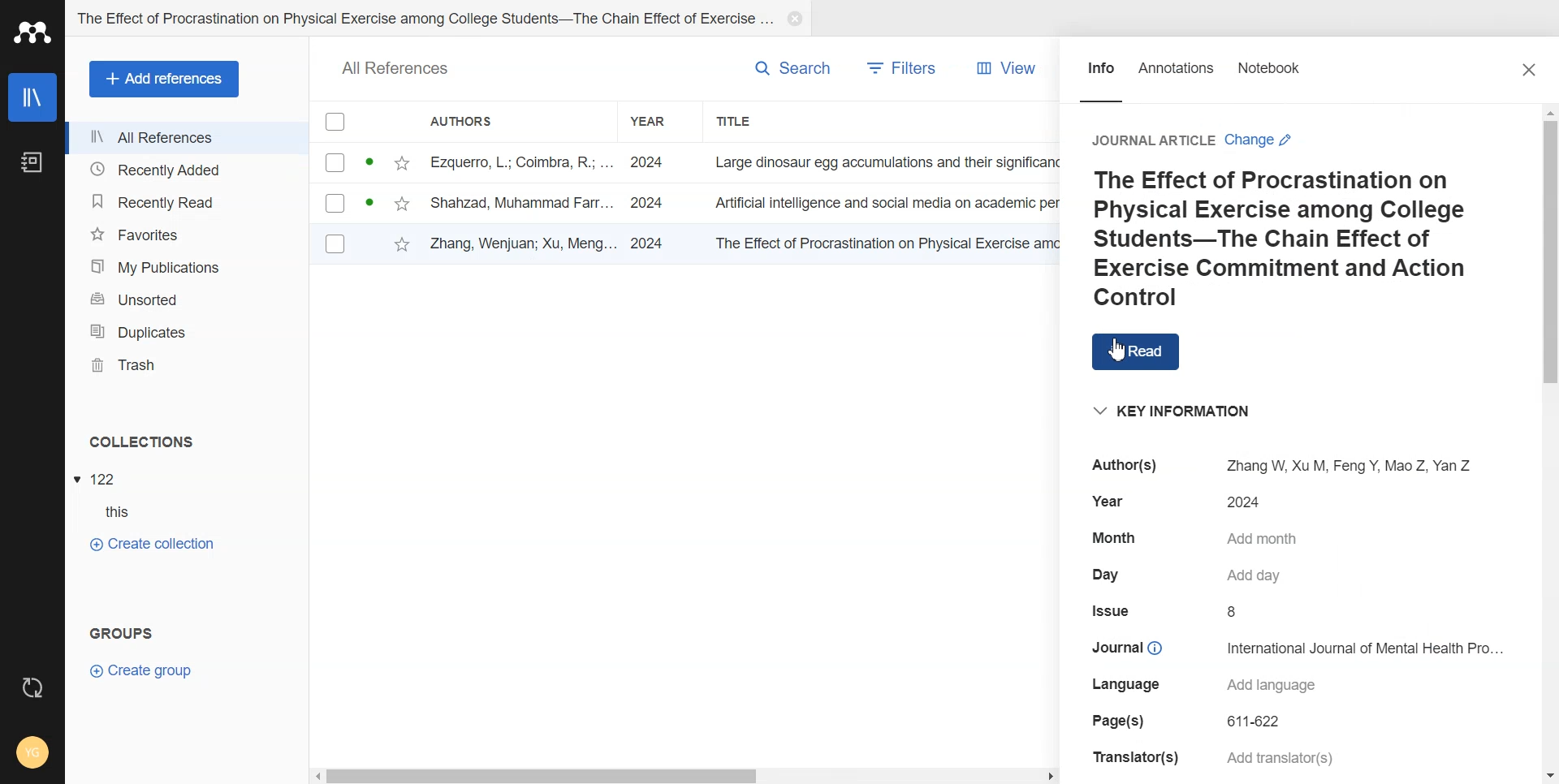  What do you see at coordinates (369, 158) in the screenshot?
I see `Active` at bounding box center [369, 158].